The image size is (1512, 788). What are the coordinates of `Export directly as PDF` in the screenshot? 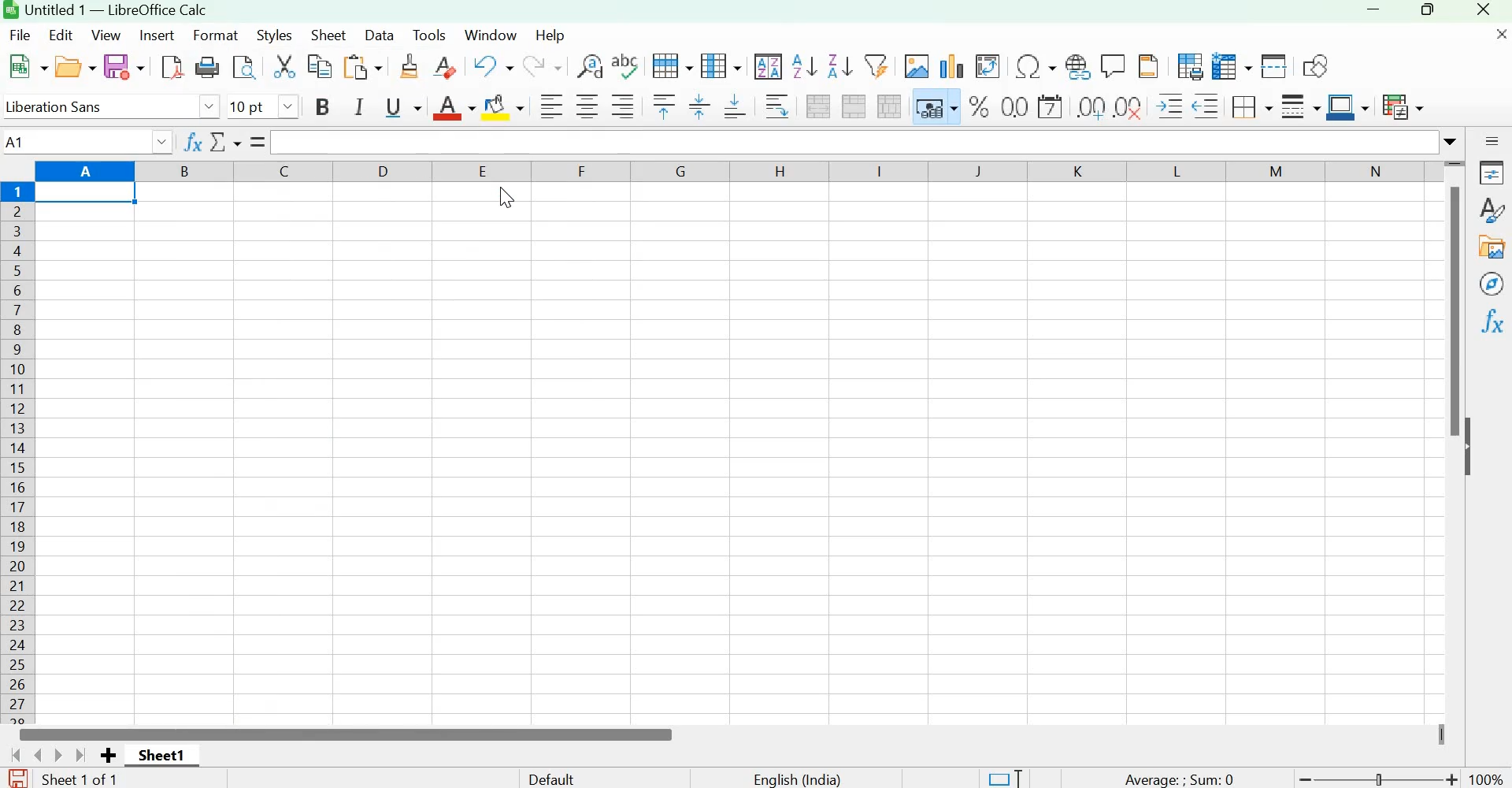 It's located at (173, 69).